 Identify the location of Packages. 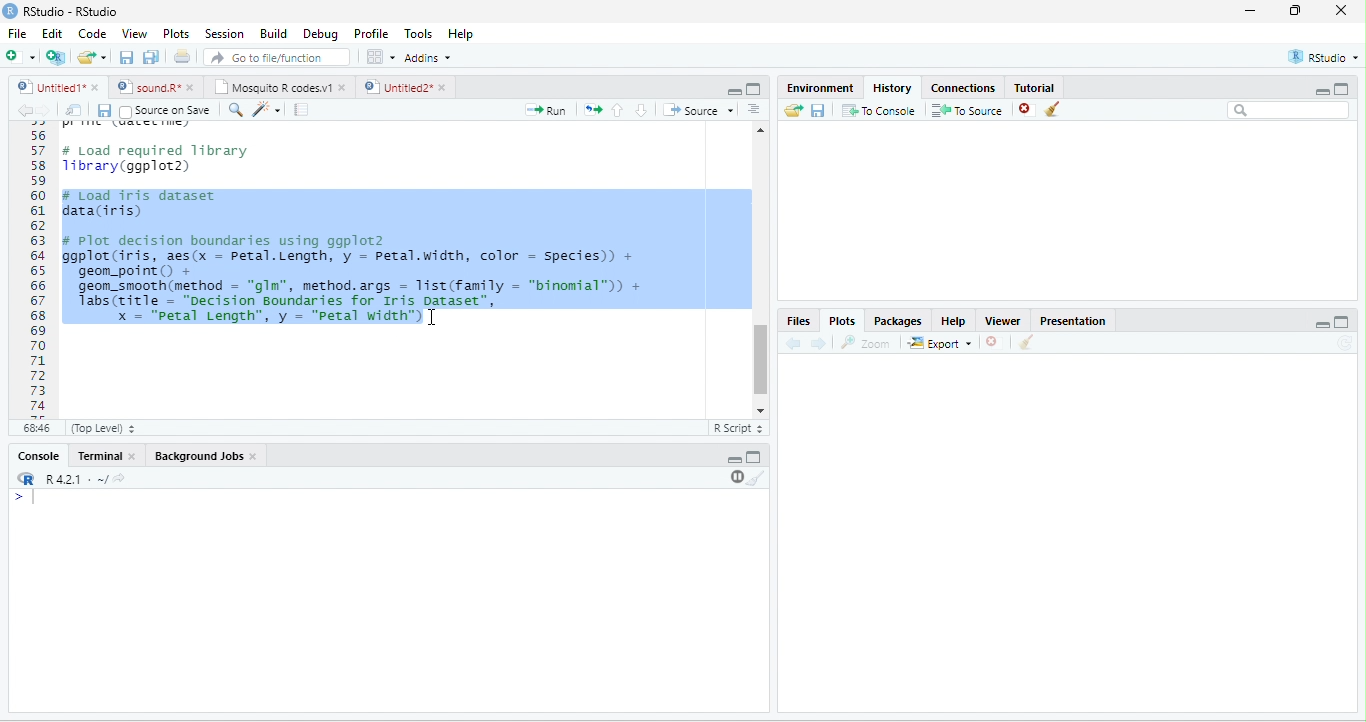
(898, 322).